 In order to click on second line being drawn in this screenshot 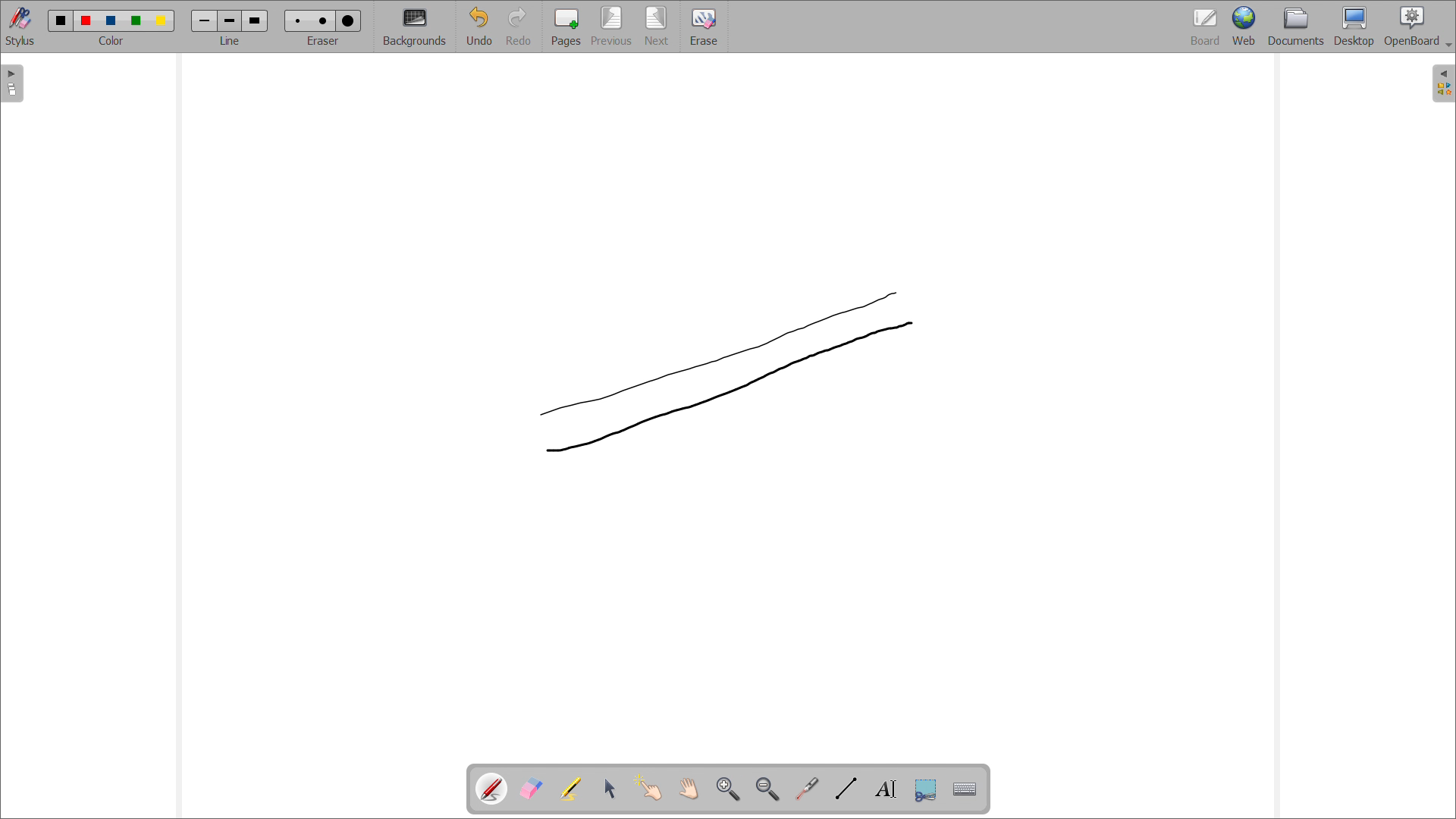, I will do `click(720, 372)`.